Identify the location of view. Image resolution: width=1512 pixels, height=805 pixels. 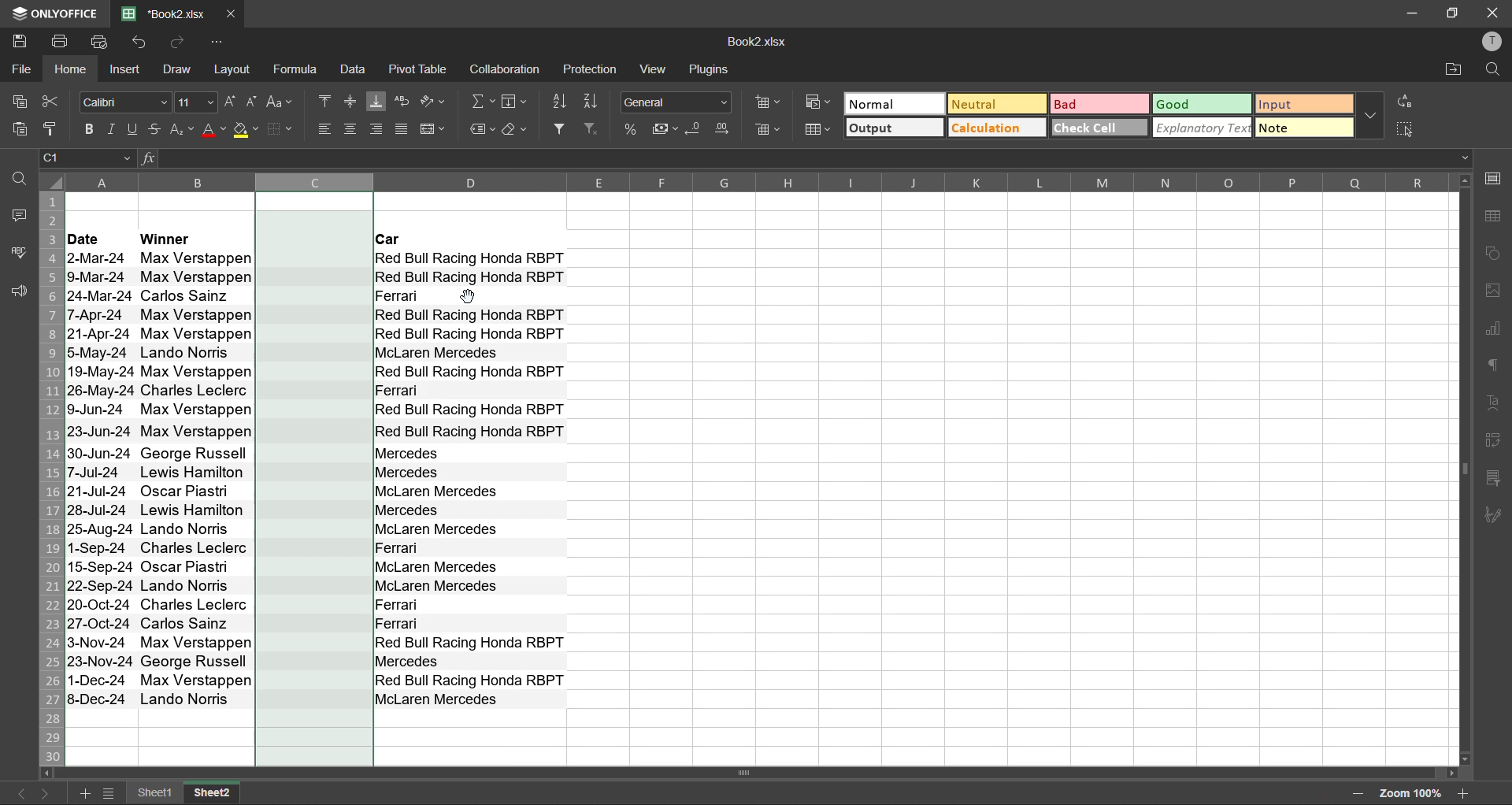
(655, 71).